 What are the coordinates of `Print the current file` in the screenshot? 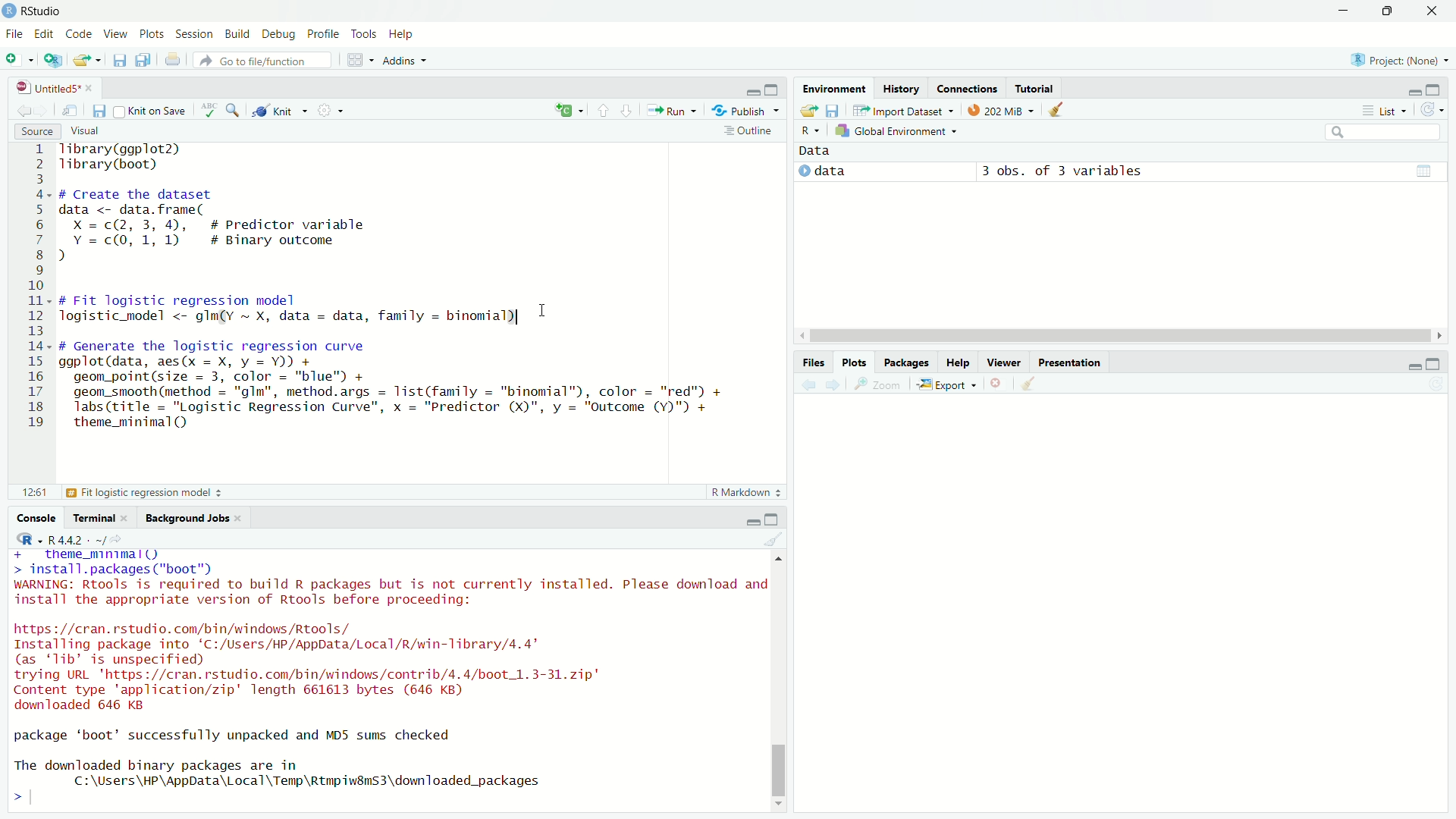 It's located at (174, 58).